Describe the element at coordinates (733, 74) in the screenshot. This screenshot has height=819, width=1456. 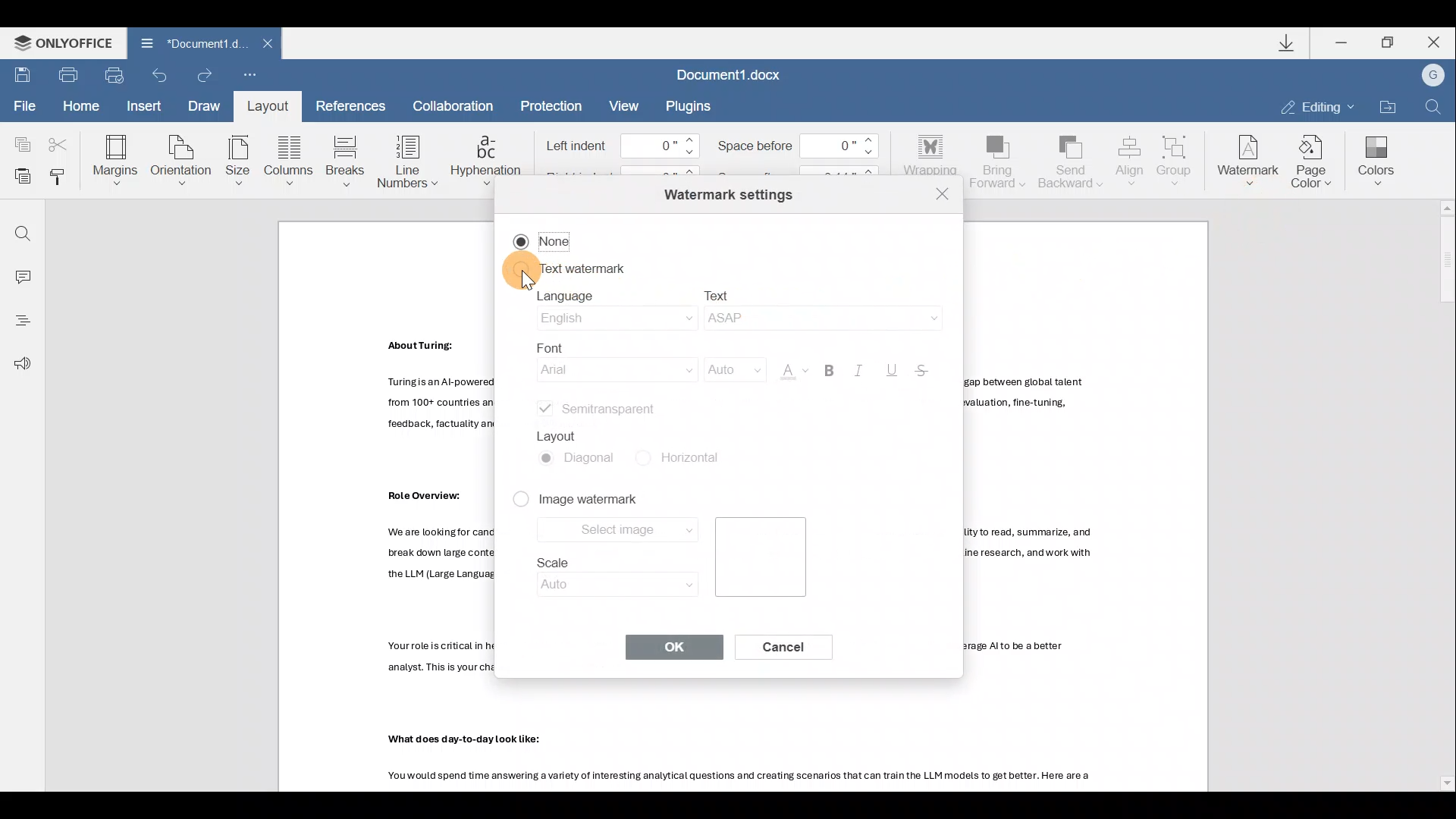
I see `Document1.docx` at that location.